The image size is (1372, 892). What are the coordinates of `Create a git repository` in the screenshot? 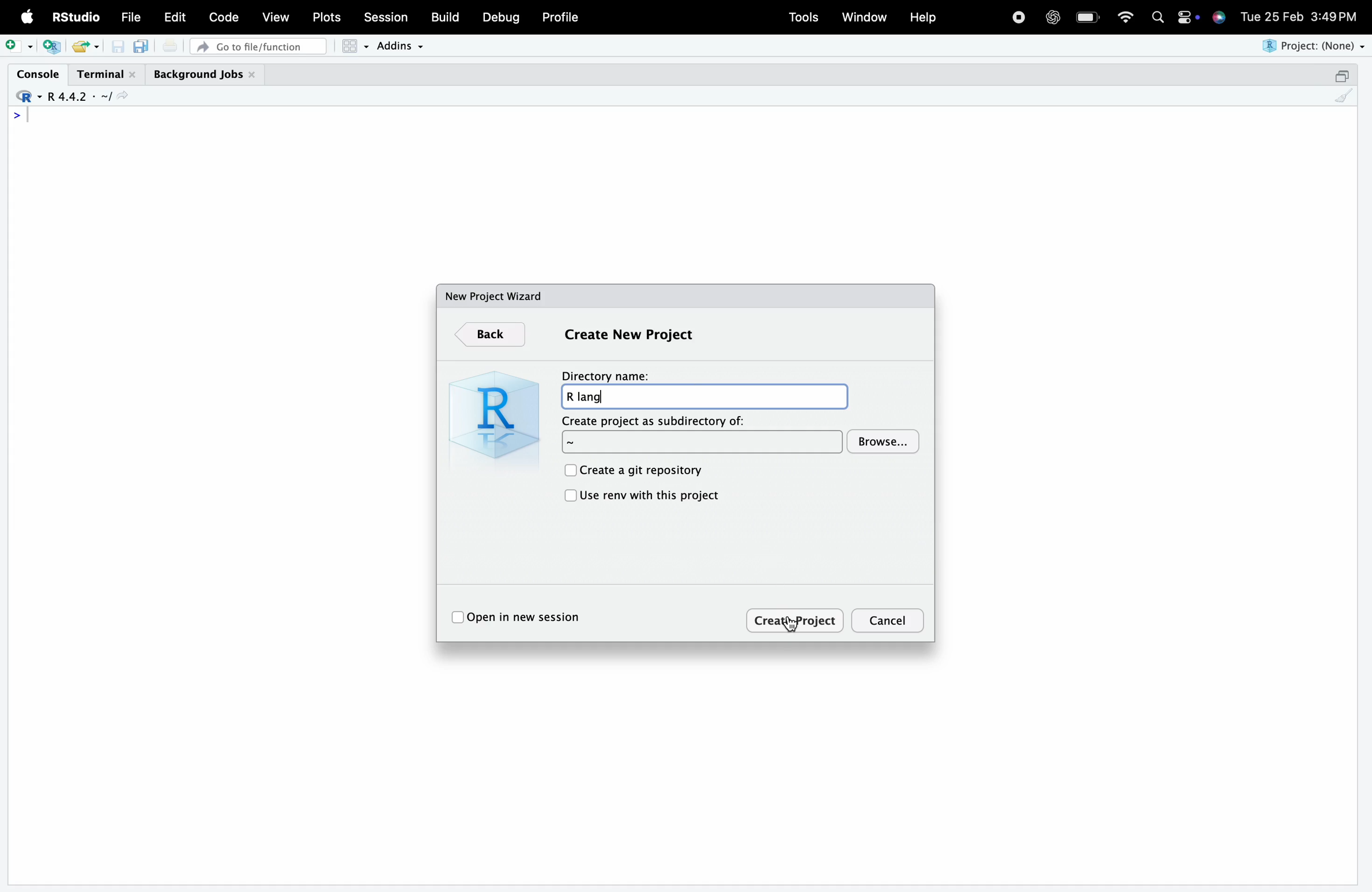 It's located at (643, 471).